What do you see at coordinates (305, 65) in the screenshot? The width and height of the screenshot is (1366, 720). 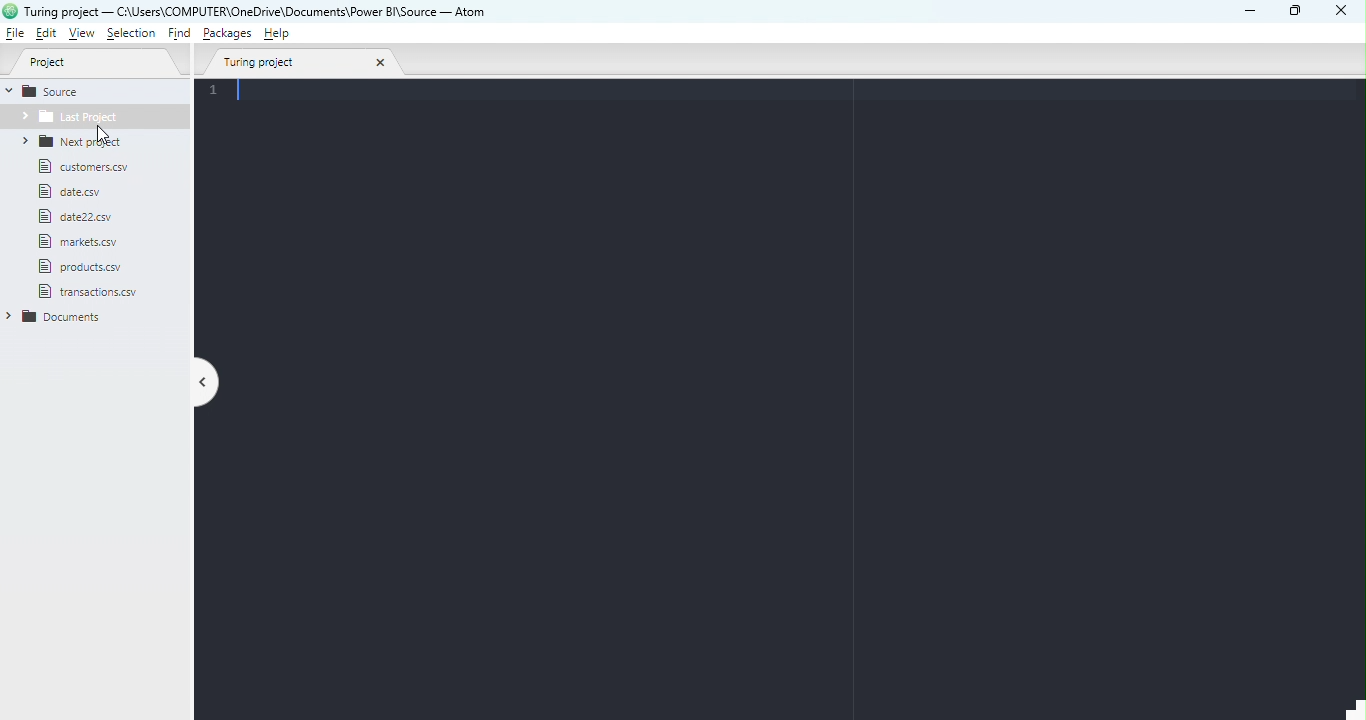 I see `Turing project file` at bounding box center [305, 65].